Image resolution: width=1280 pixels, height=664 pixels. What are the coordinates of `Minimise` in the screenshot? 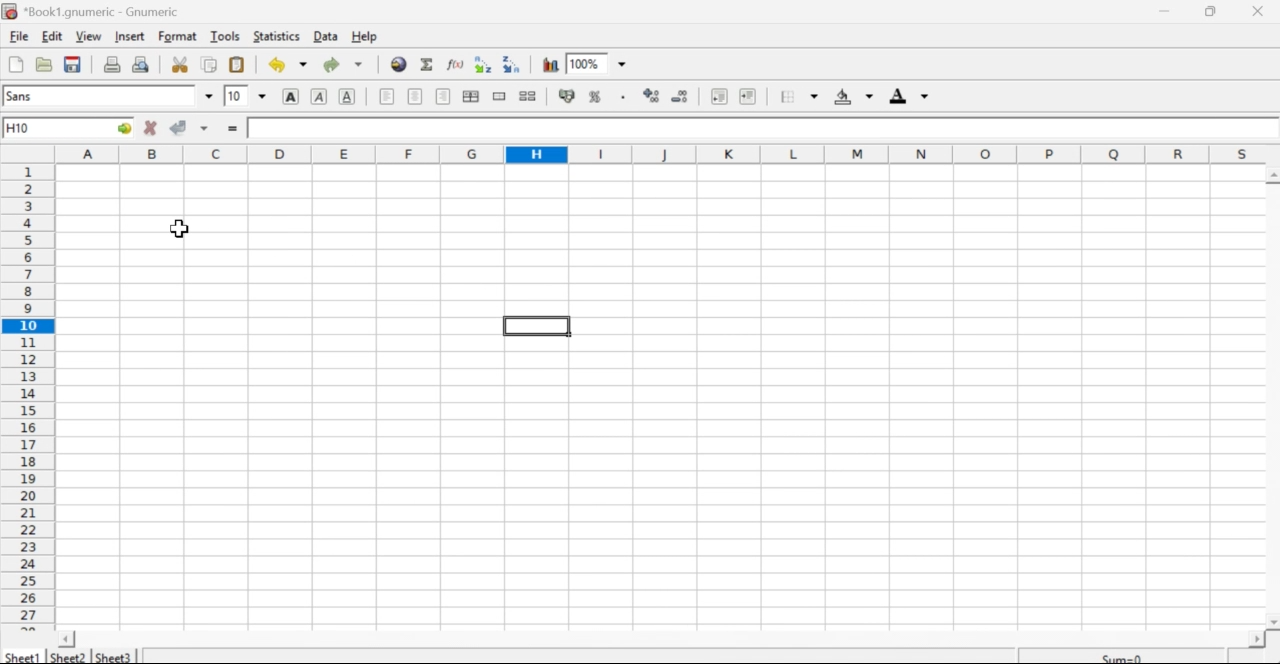 It's located at (1164, 11).